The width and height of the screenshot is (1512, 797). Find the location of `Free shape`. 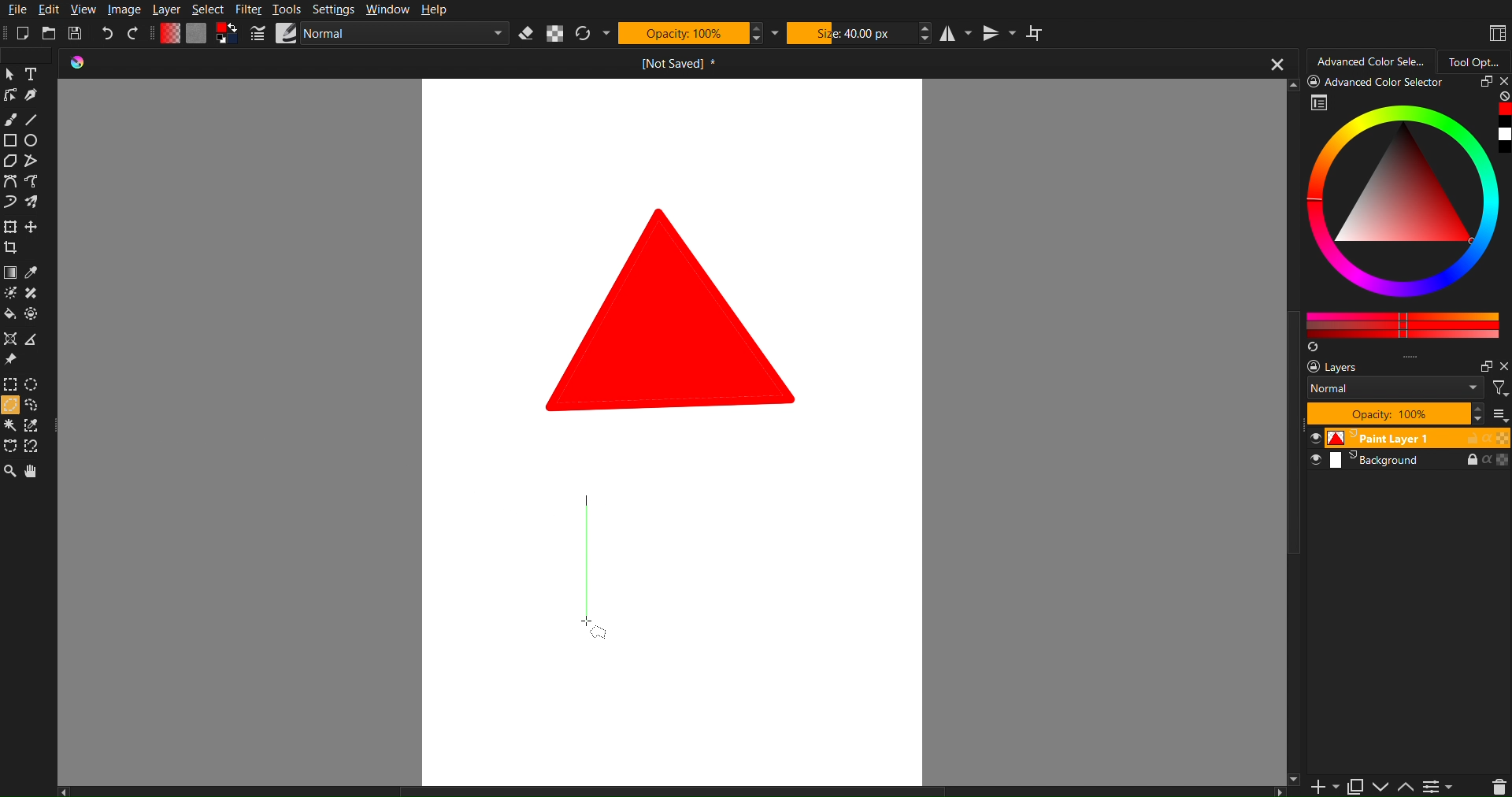

Free shape is located at coordinates (30, 161).